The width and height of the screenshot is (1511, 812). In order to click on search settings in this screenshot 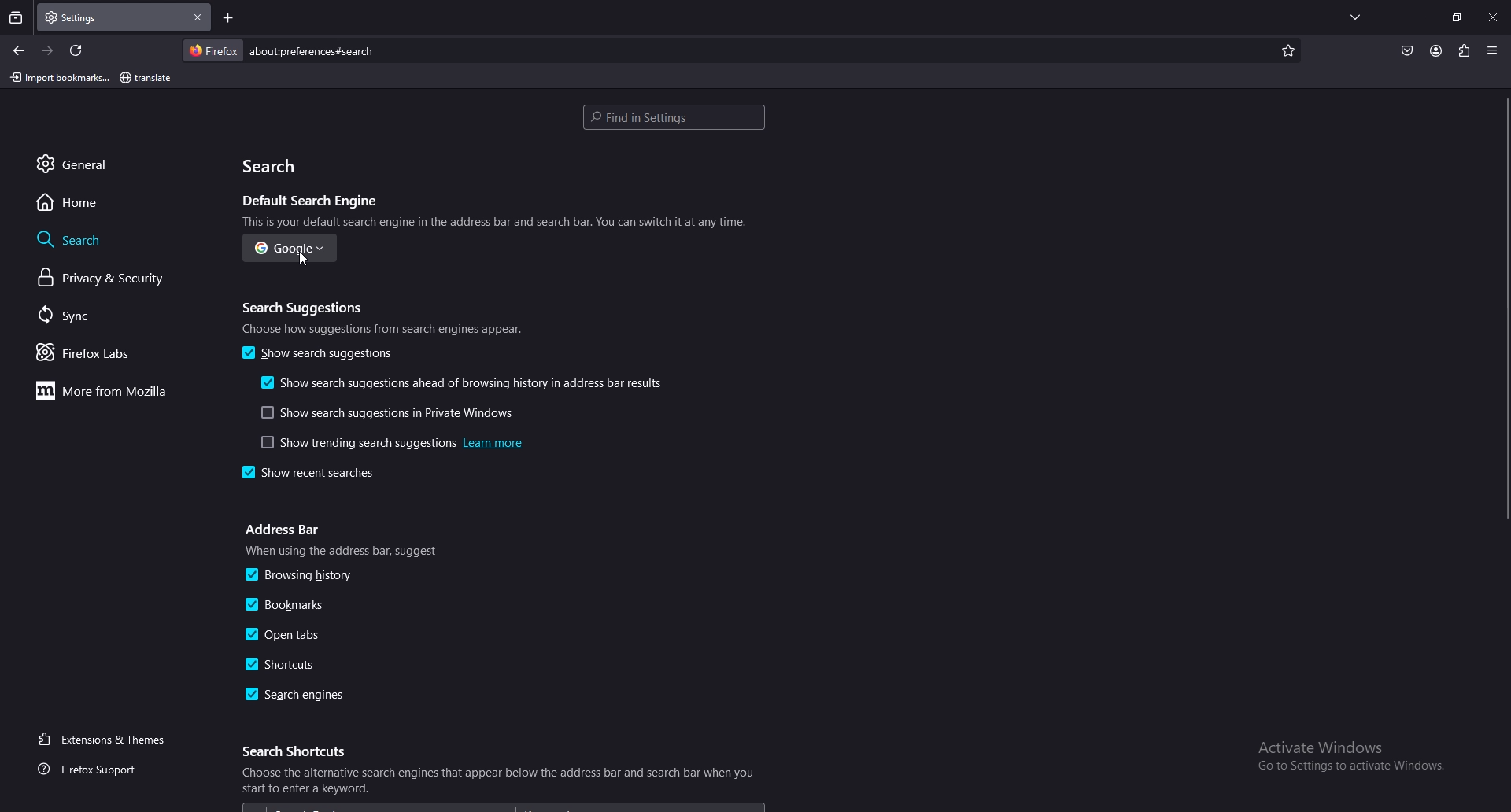, I will do `click(674, 118)`.